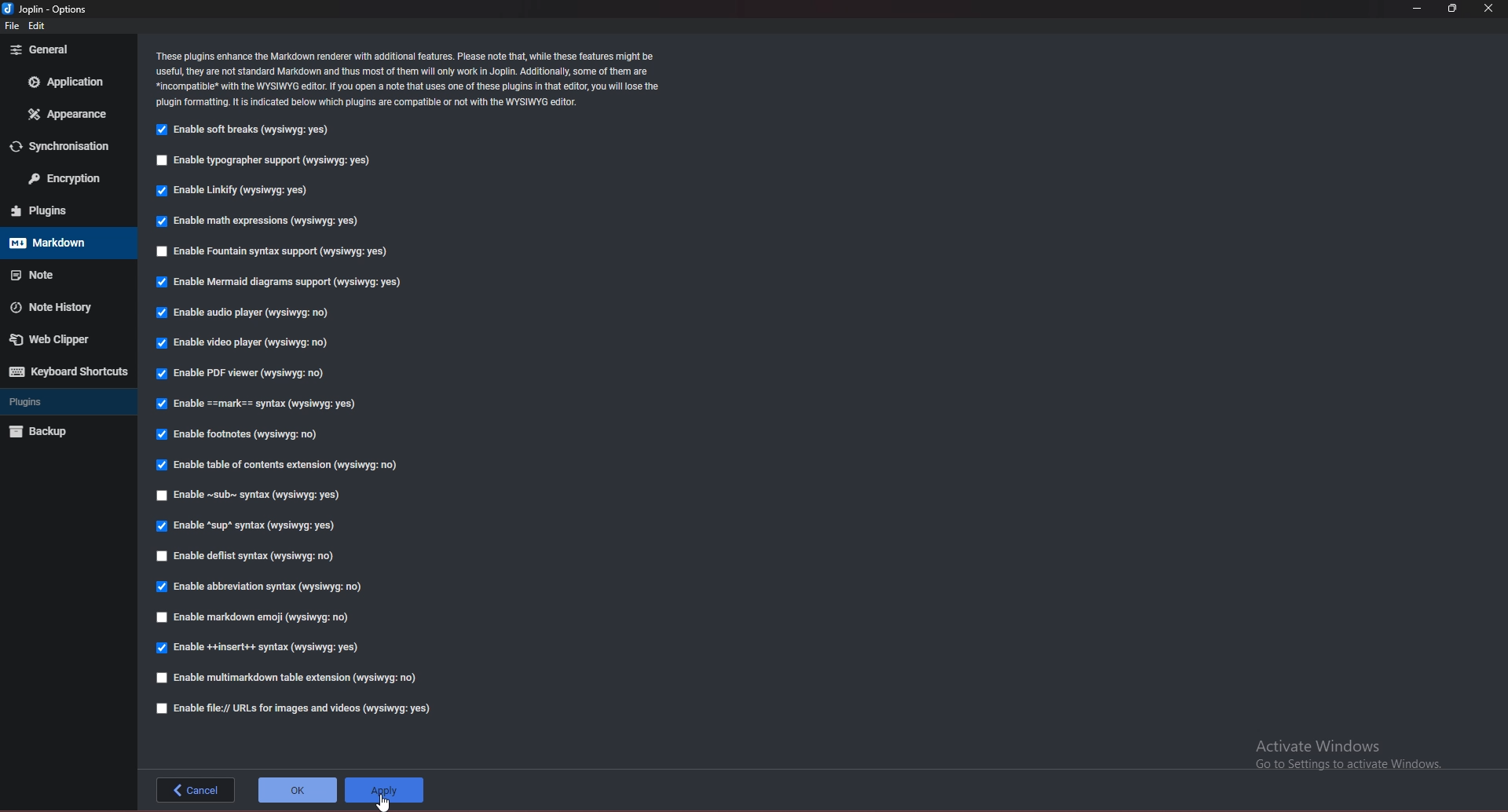  I want to click on enable audio player, so click(243, 314).